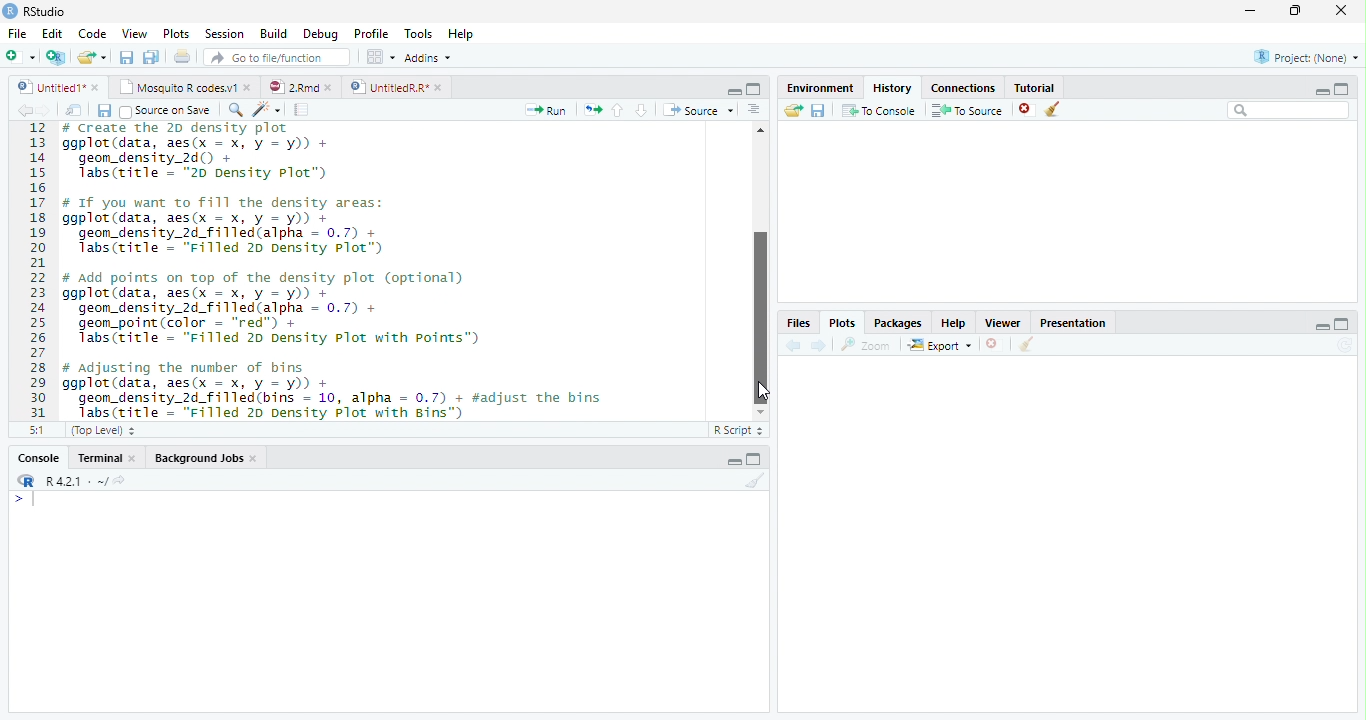 The width and height of the screenshot is (1366, 720). Describe the element at coordinates (791, 111) in the screenshot. I see `Load workspace` at that location.